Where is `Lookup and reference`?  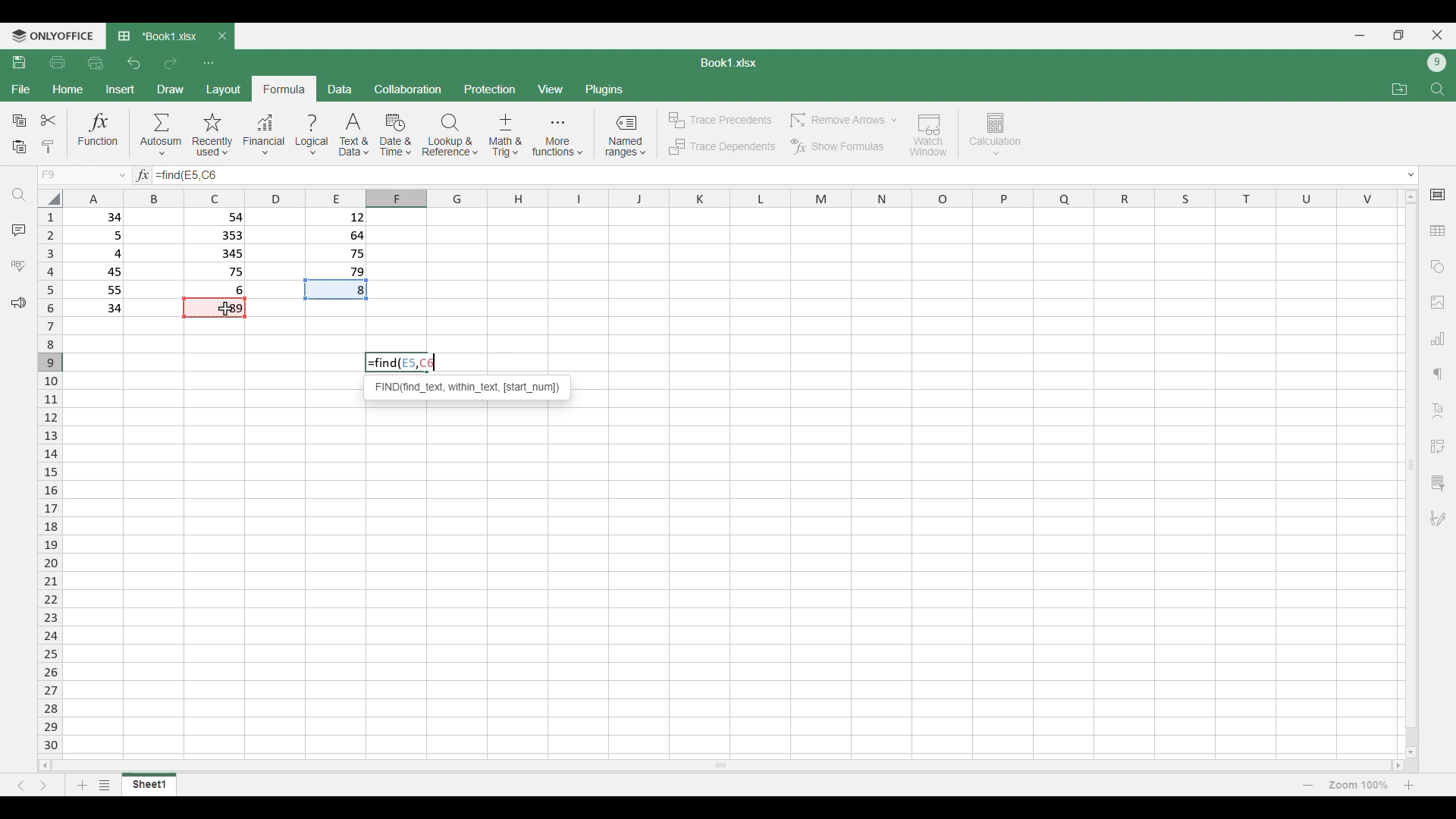 Lookup and reference is located at coordinates (450, 135).